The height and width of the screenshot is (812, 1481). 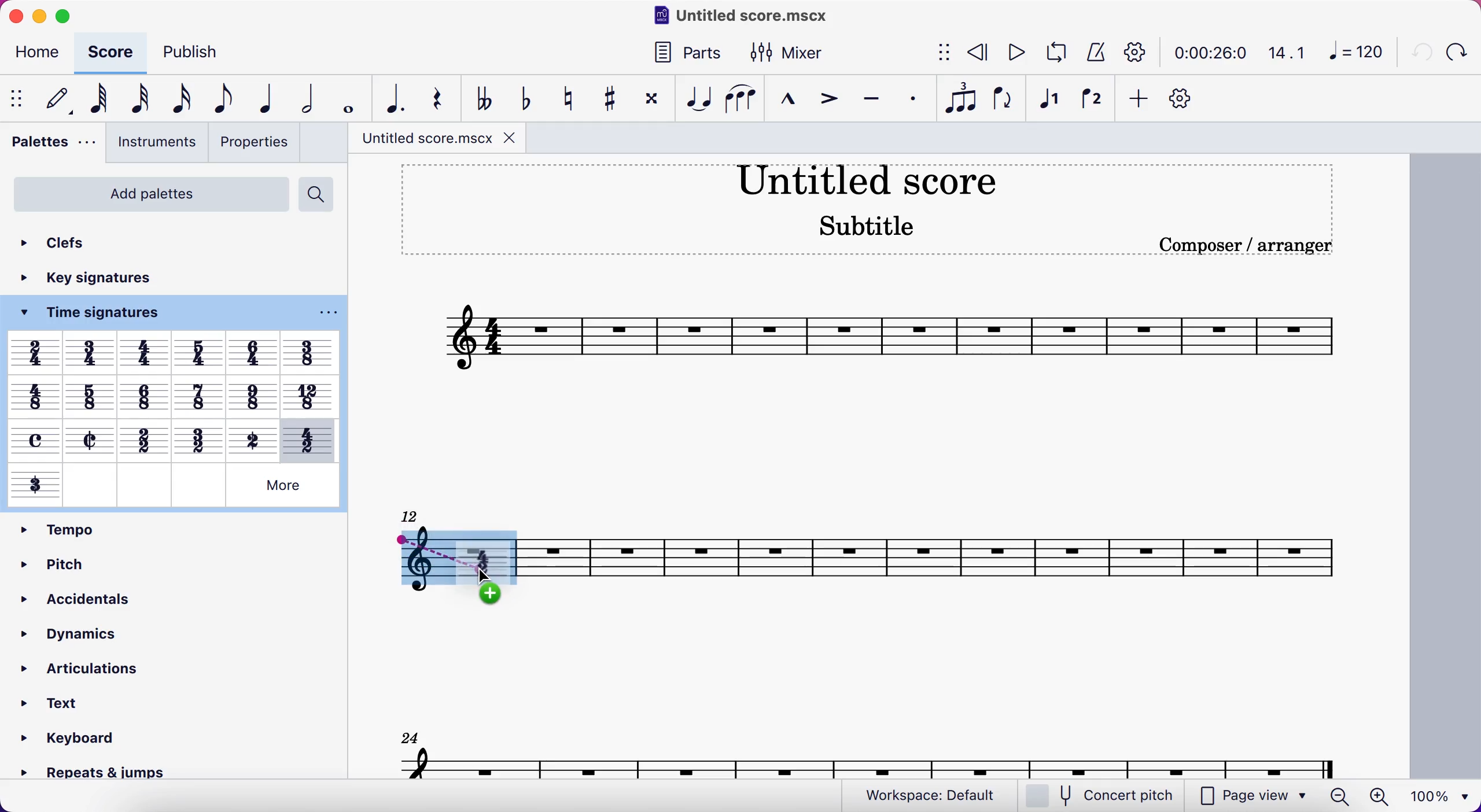 I want to click on , so click(x=197, y=396).